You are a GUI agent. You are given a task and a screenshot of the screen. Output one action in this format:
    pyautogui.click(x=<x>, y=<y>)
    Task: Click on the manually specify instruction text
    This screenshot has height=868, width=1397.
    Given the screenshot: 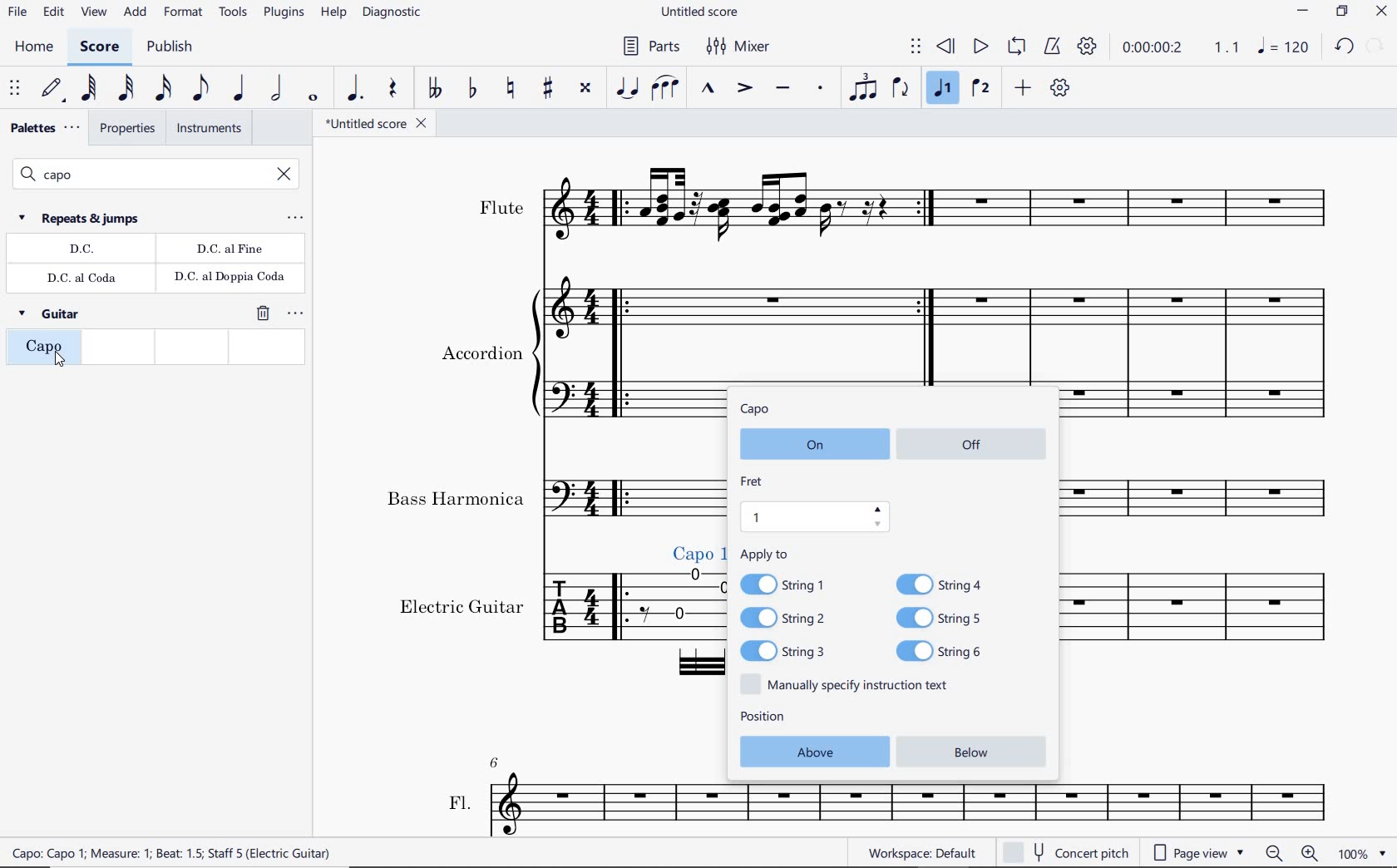 What is the action you would take?
    pyautogui.click(x=851, y=684)
    